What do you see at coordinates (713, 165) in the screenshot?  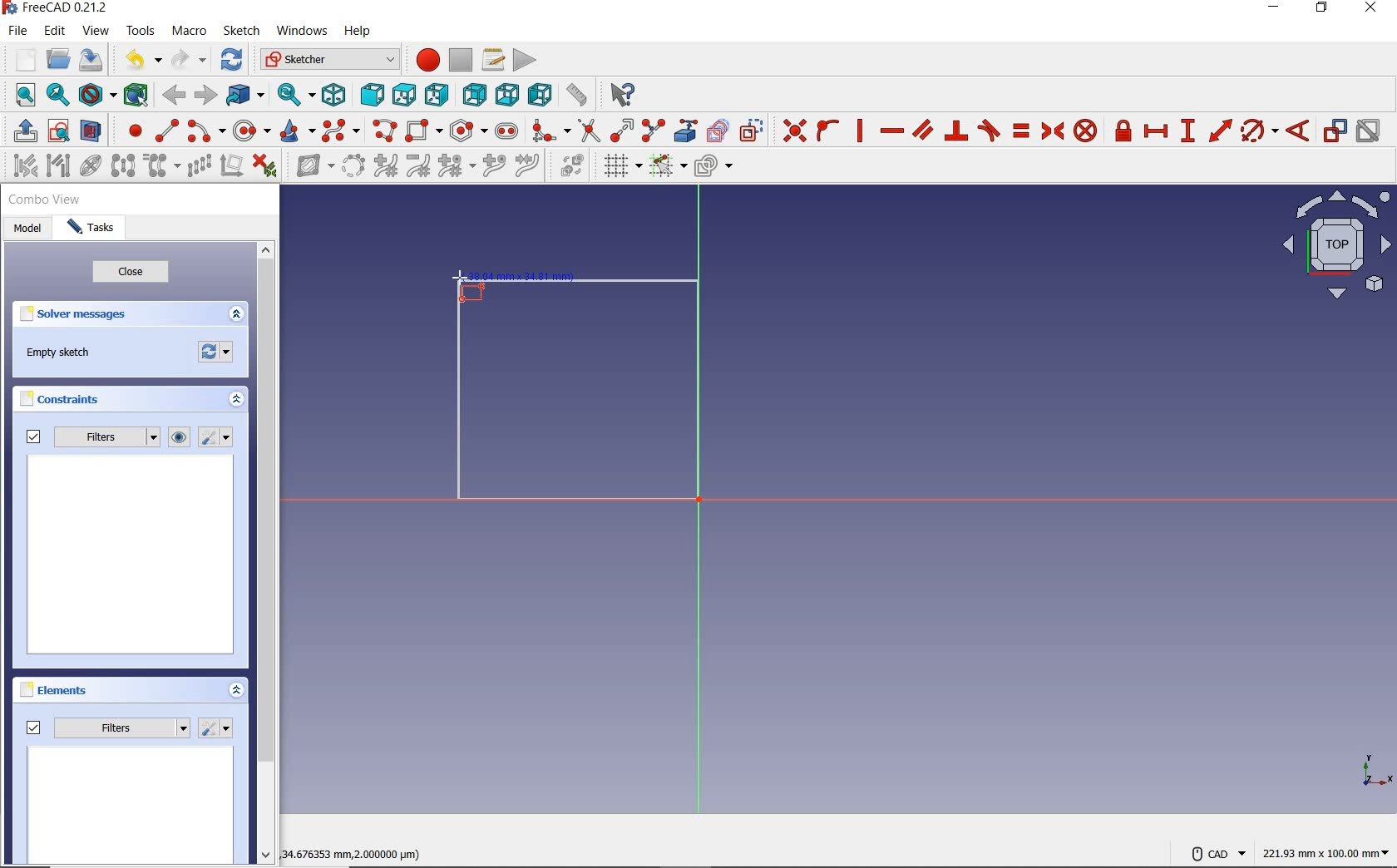 I see `configure rendering order` at bounding box center [713, 165].